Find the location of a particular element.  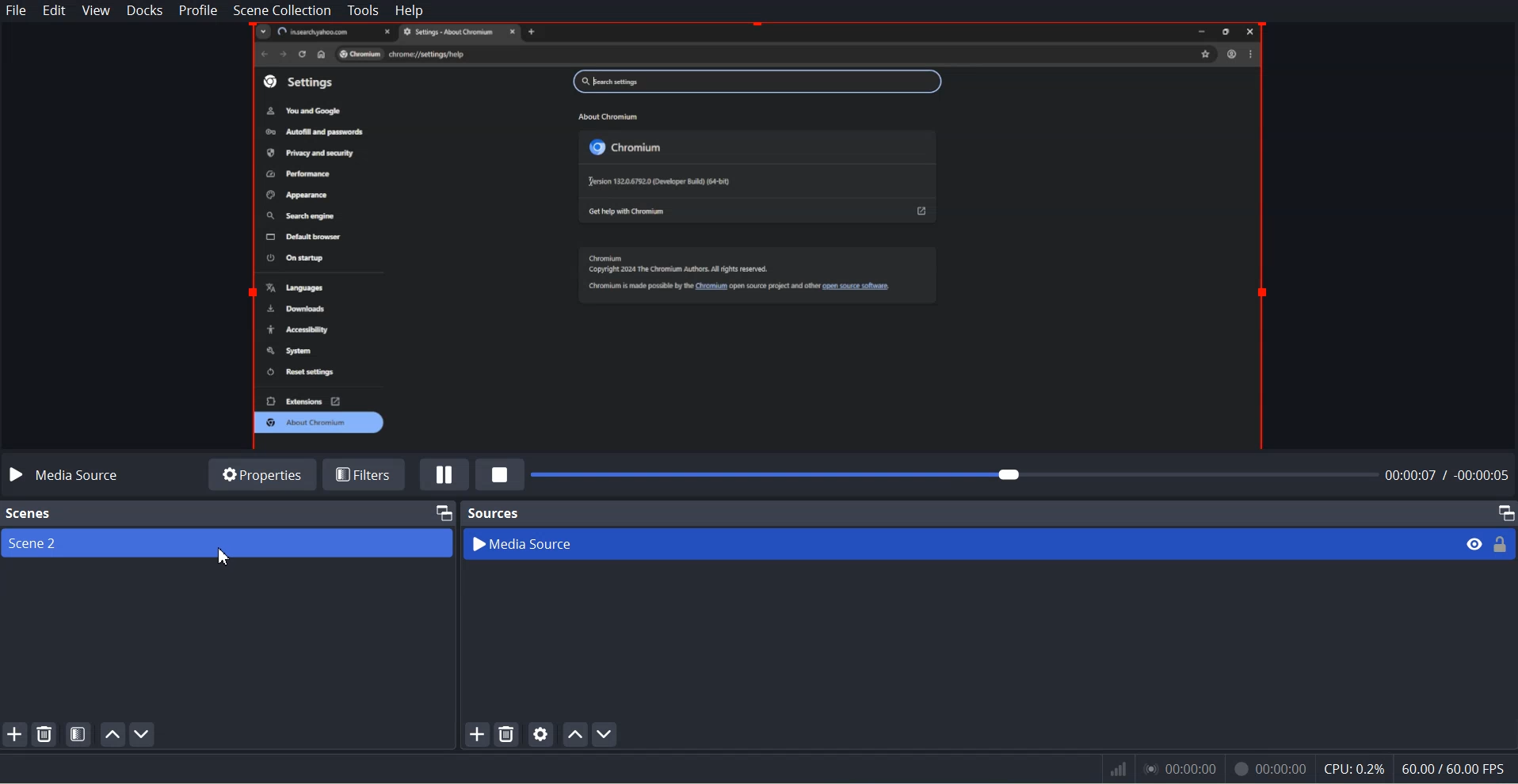

File Preview window is located at coordinates (762, 235).